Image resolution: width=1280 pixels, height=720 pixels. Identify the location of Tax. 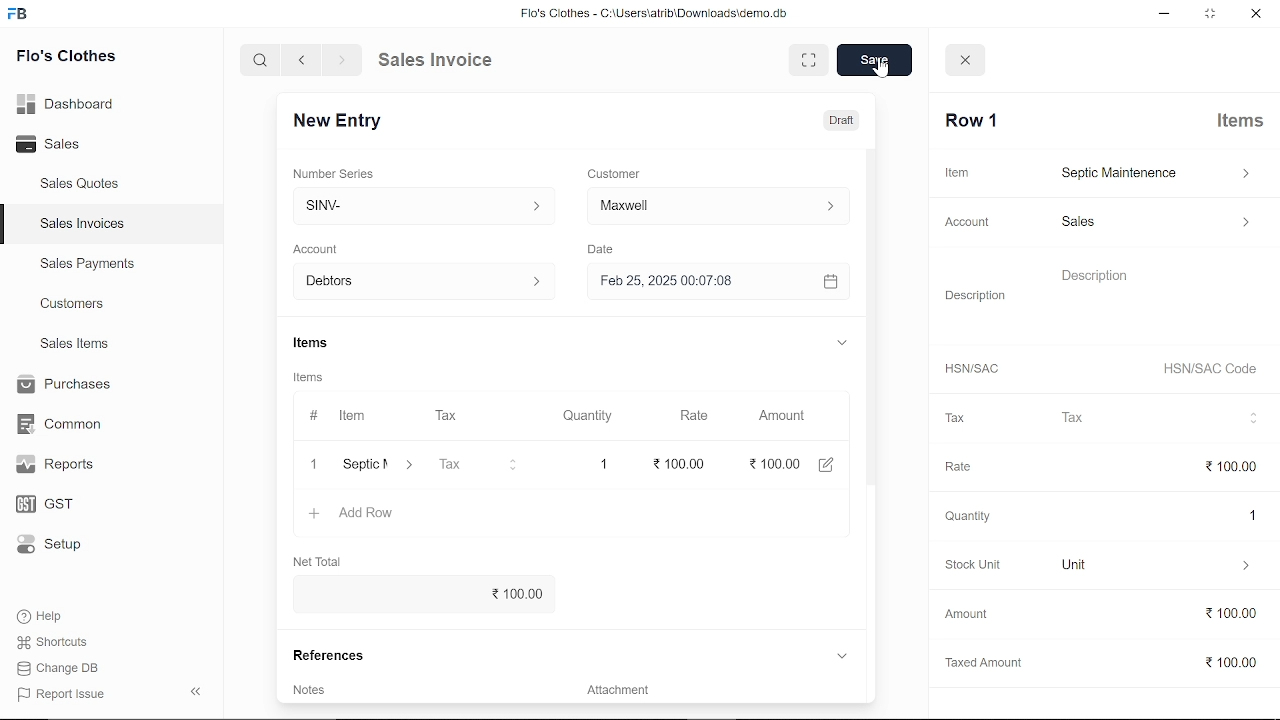
(1161, 418).